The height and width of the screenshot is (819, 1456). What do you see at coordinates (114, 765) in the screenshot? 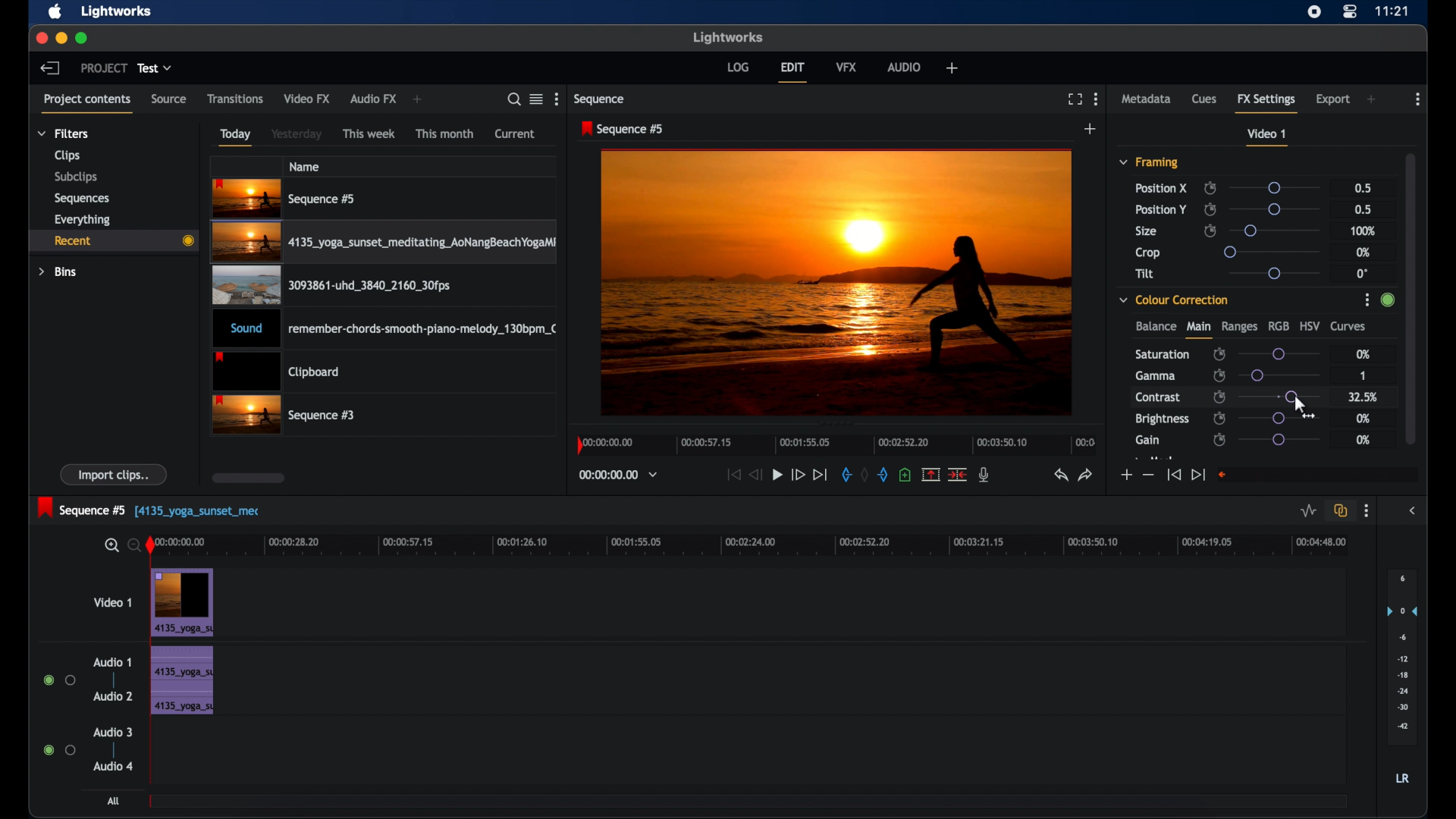
I see `audio 4` at bounding box center [114, 765].